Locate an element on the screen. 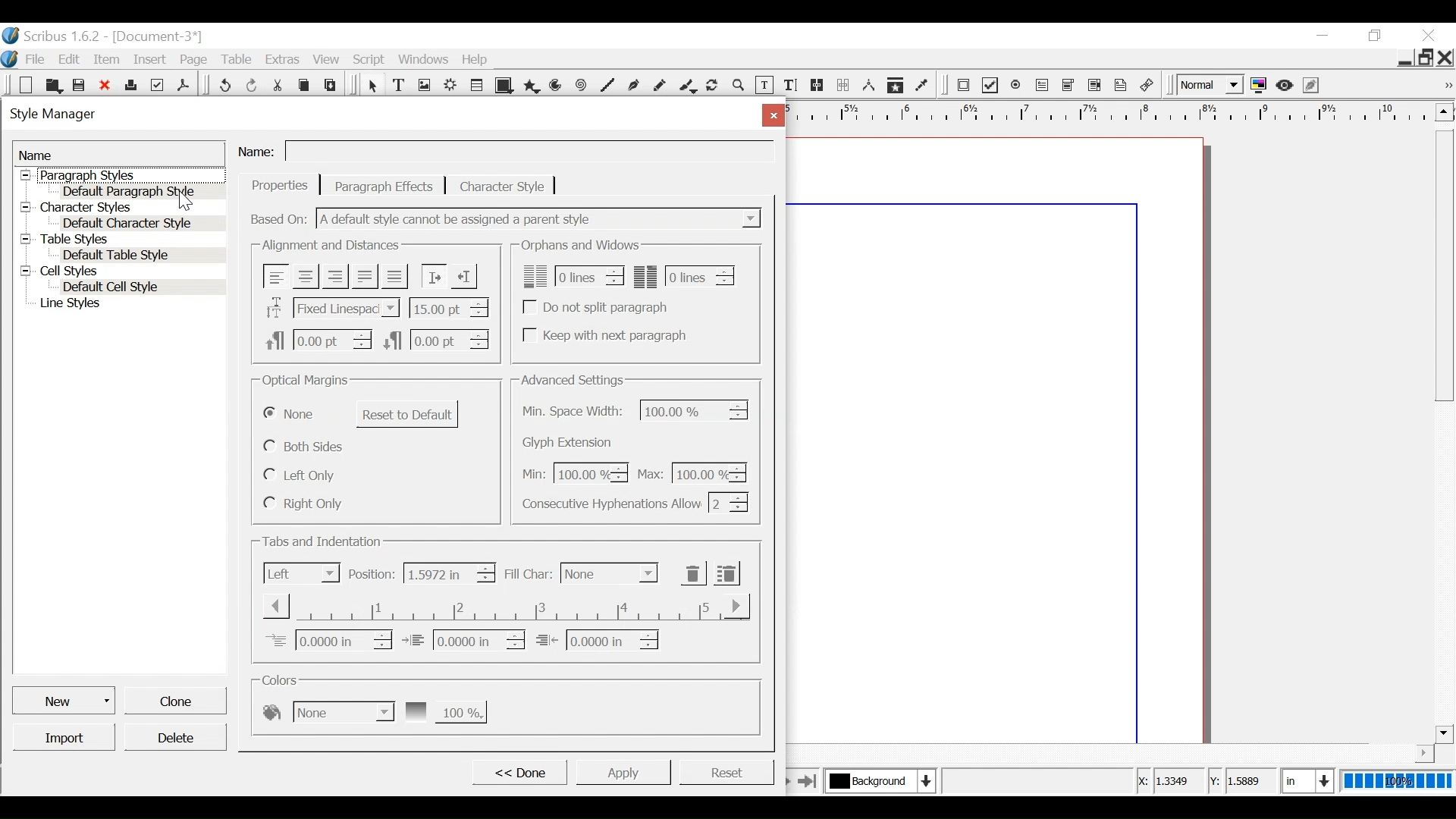 Image resolution: width=1456 pixels, height=819 pixels. Unlink text frames is located at coordinates (843, 85).